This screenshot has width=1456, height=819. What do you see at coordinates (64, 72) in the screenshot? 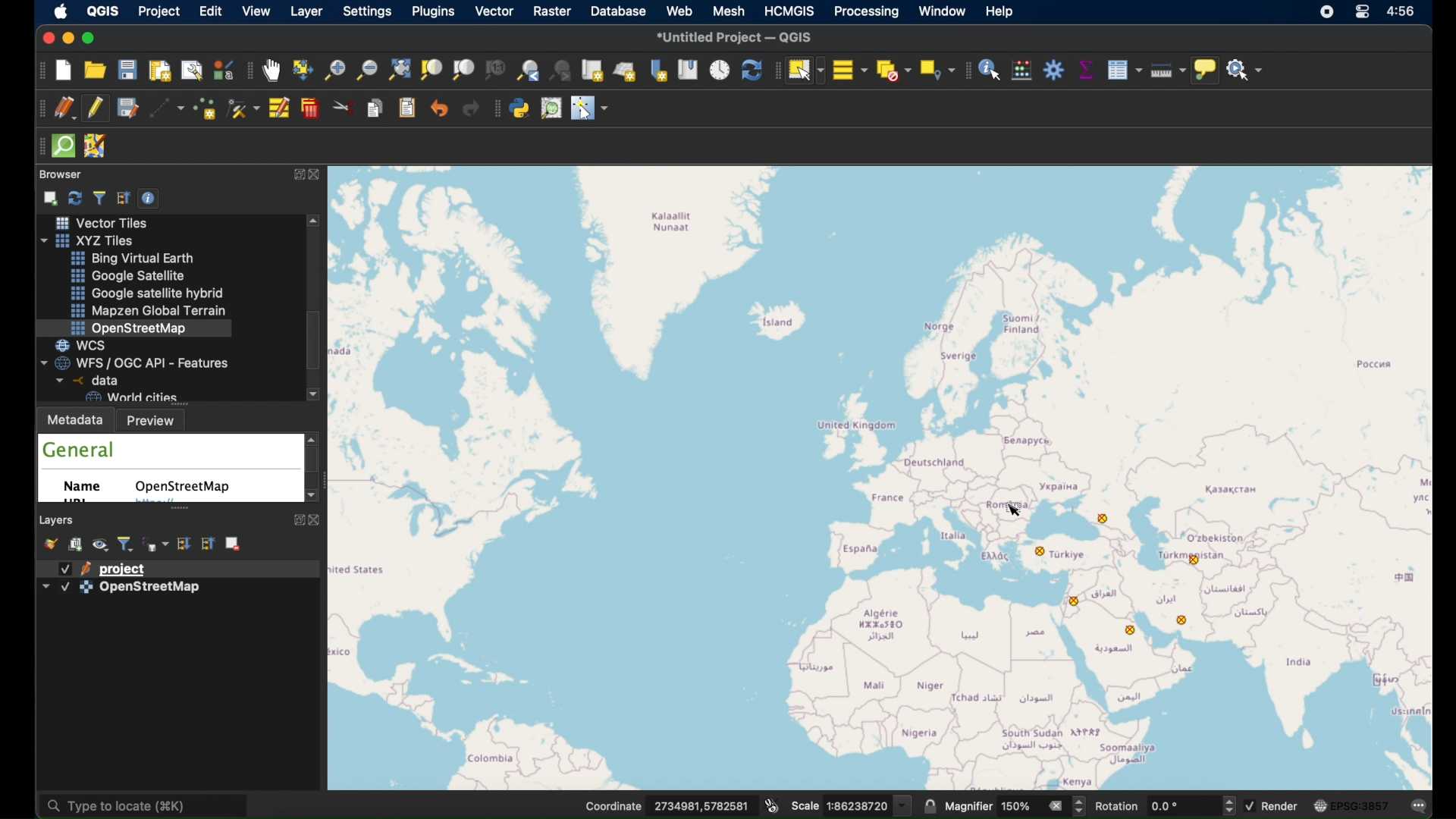
I see `new project` at bounding box center [64, 72].